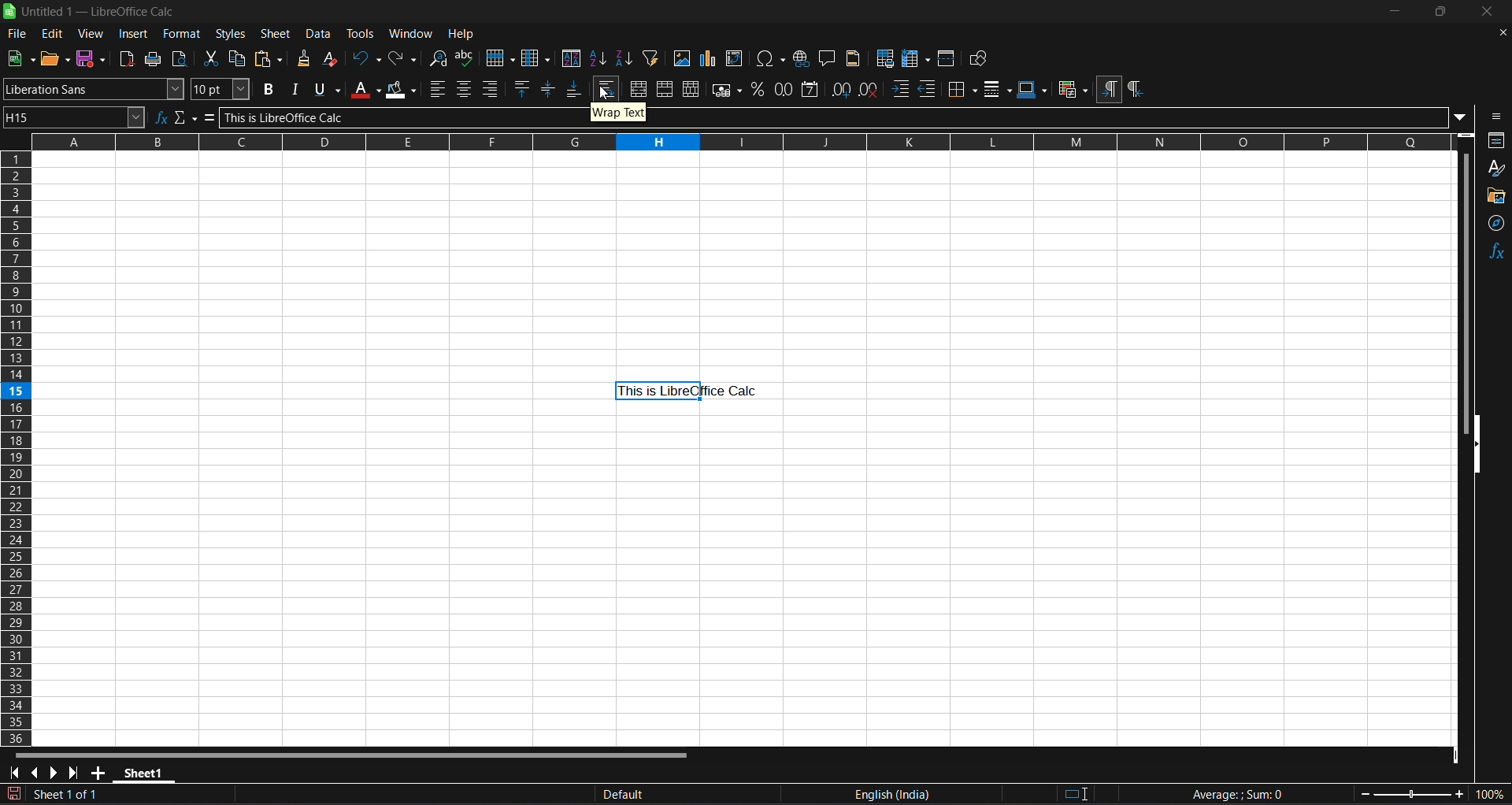  Describe the element at coordinates (664, 89) in the screenshot. I see `merge cells` at that location.